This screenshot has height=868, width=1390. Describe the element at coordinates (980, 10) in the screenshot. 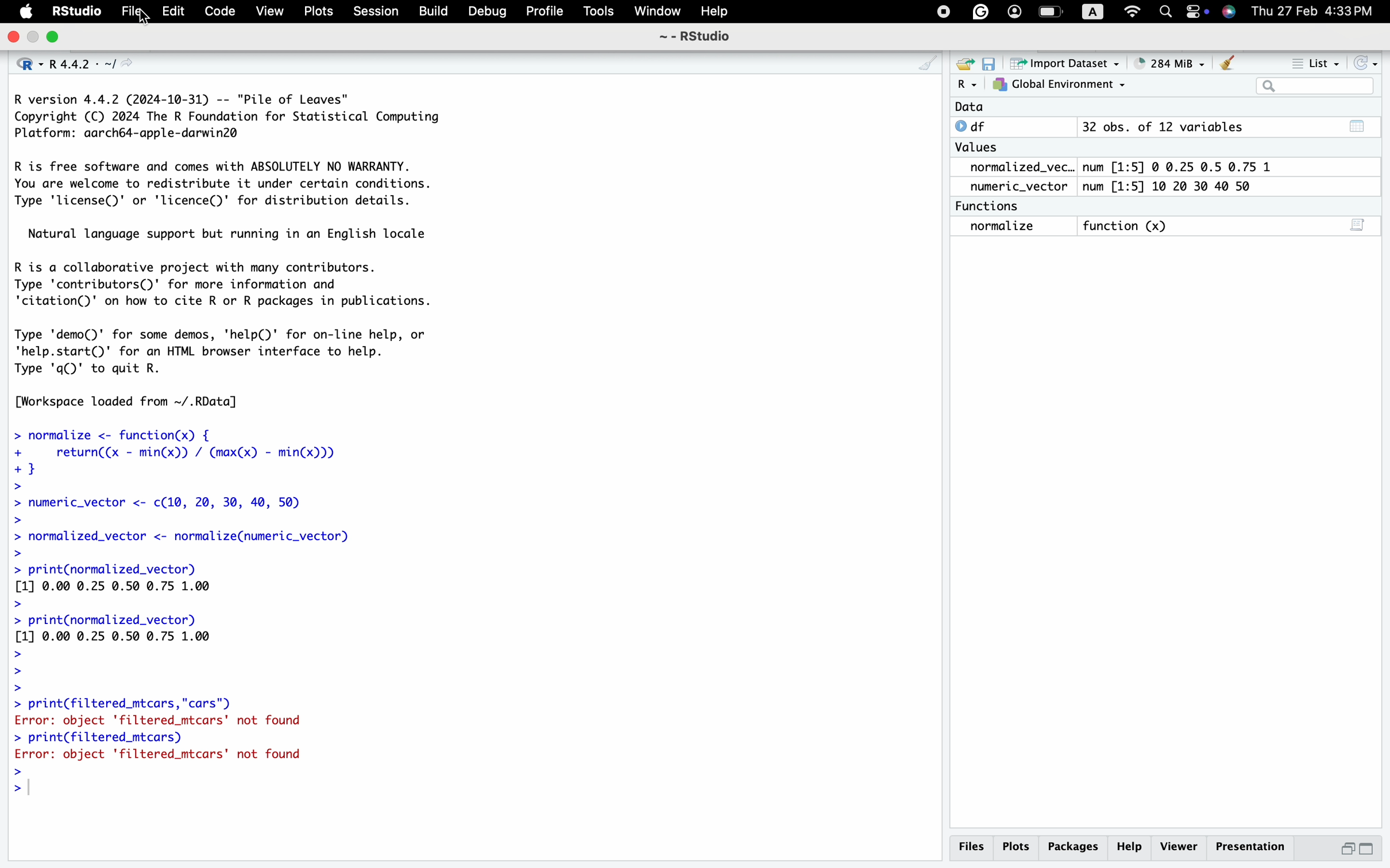

I see `GRAMMERLY` at that location.